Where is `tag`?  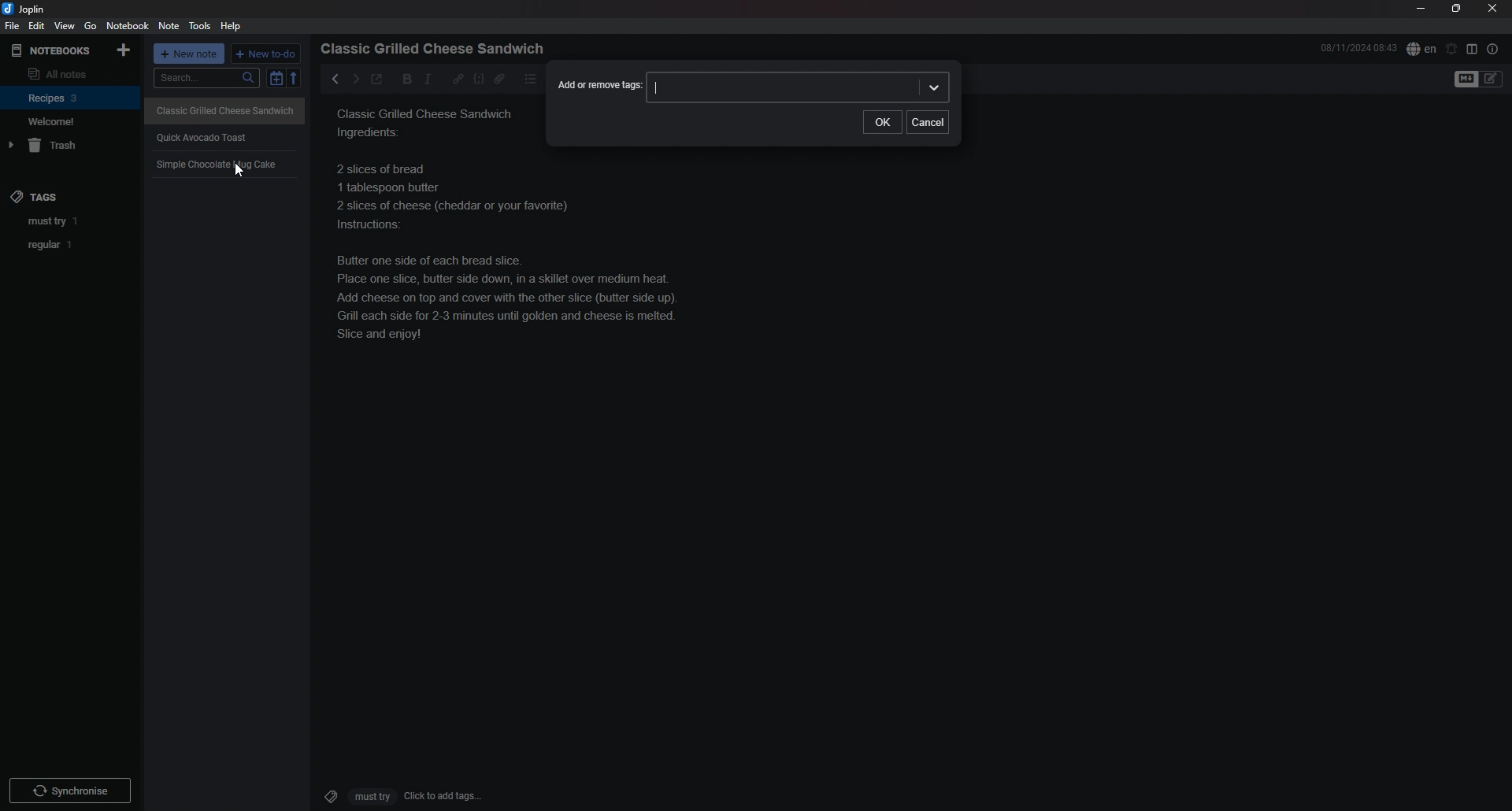 tag is located at coordinates (72, 245).